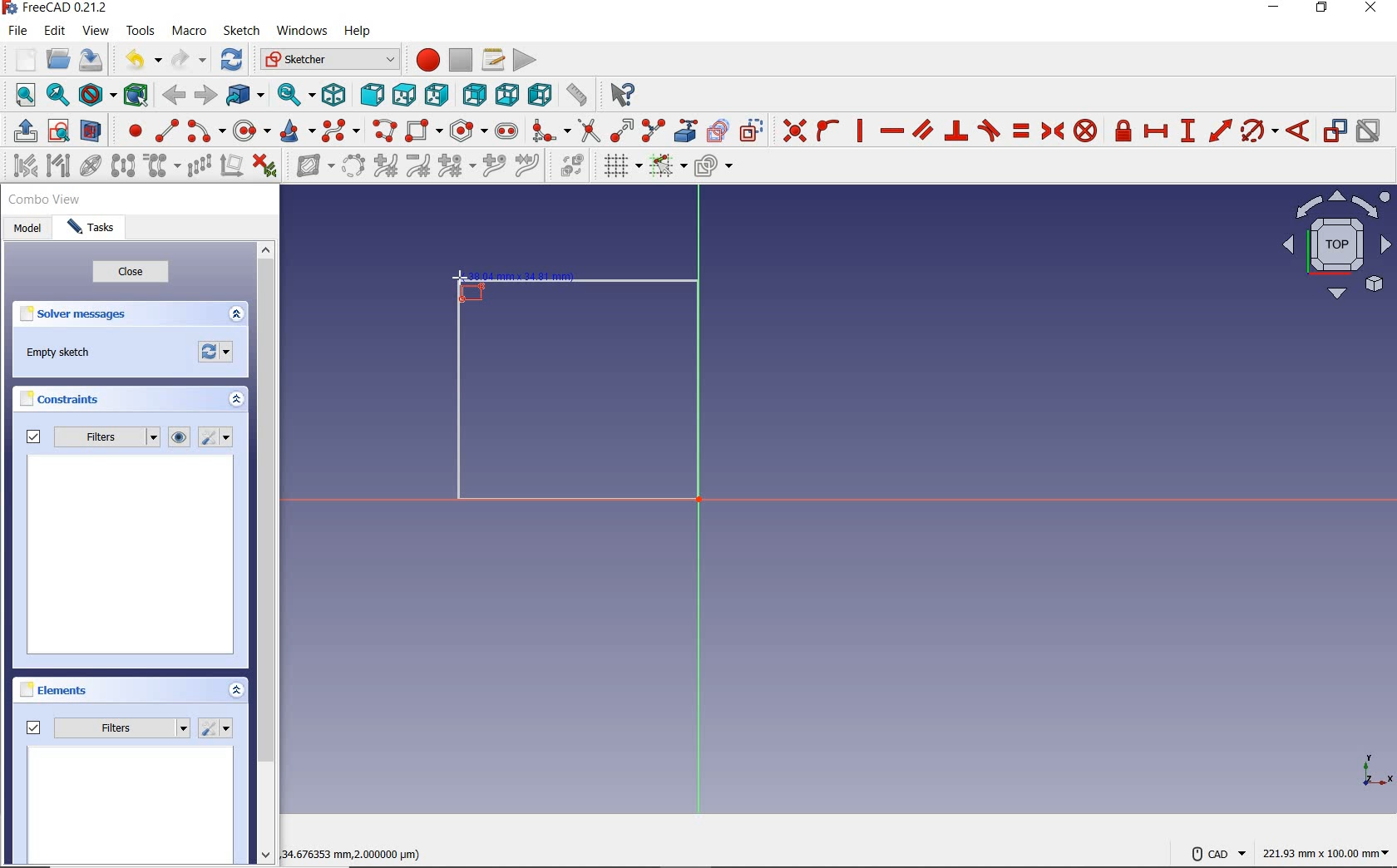 The height and width of the screenshot is (868, 1397). Describe the element at coordinates (234, 401) in the screenshot. I see `expand` at that location.